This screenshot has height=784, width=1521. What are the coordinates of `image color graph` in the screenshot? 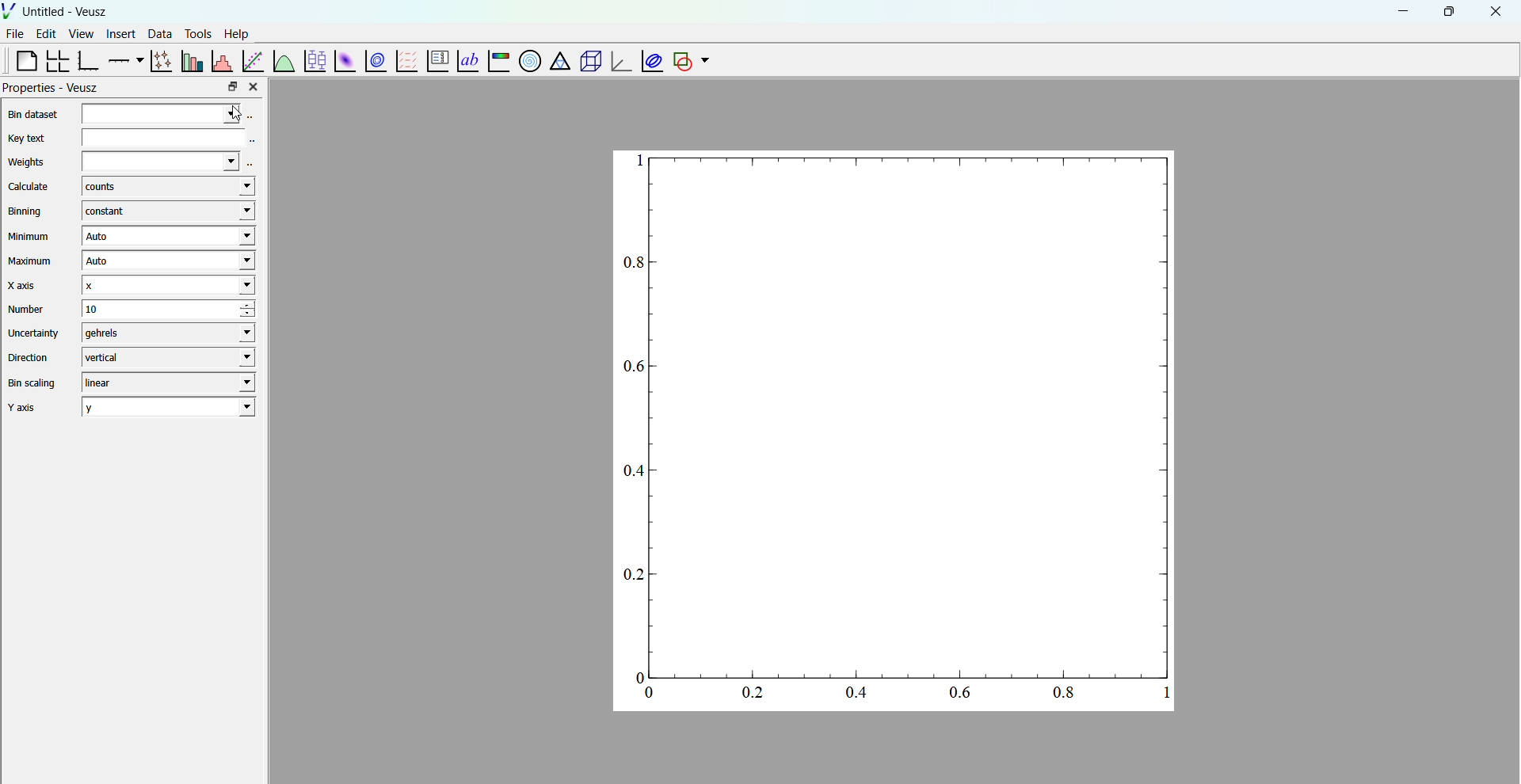 It's located at (497, 63).